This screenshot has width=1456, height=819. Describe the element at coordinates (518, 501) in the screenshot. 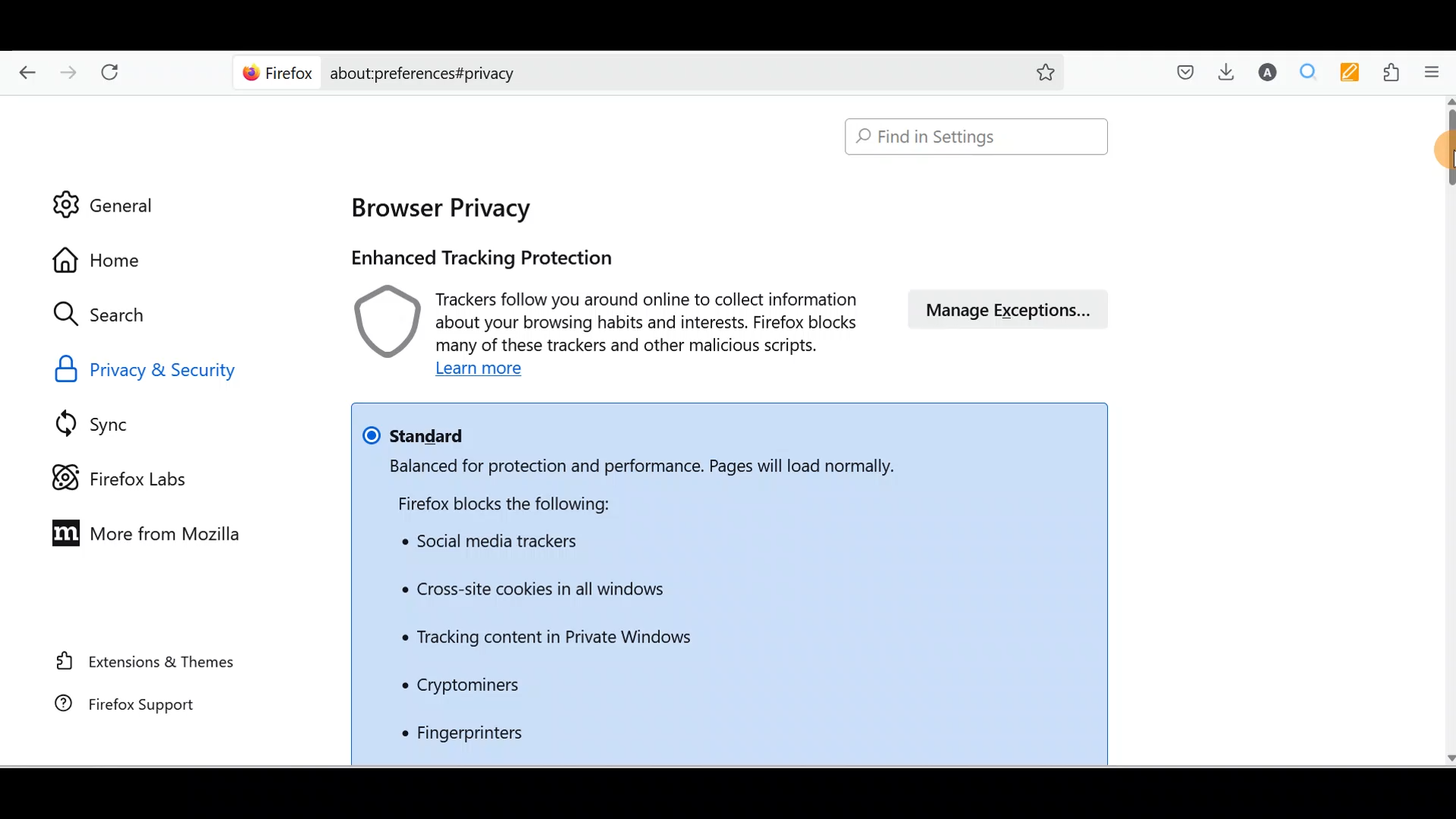

I see `Firefox blocks the following:` at that location.